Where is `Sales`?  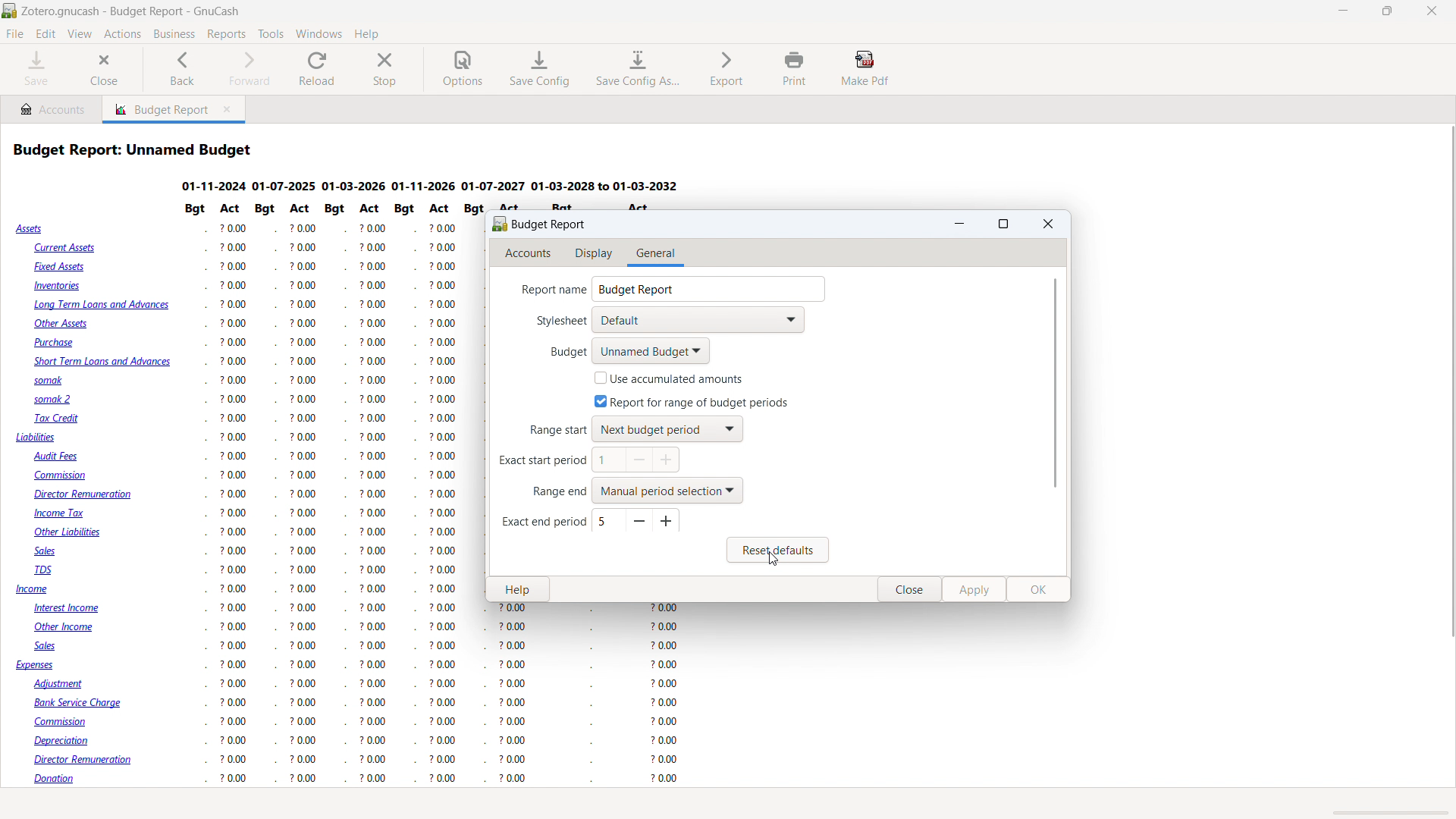
Sales is located at coordinates (48, 646).